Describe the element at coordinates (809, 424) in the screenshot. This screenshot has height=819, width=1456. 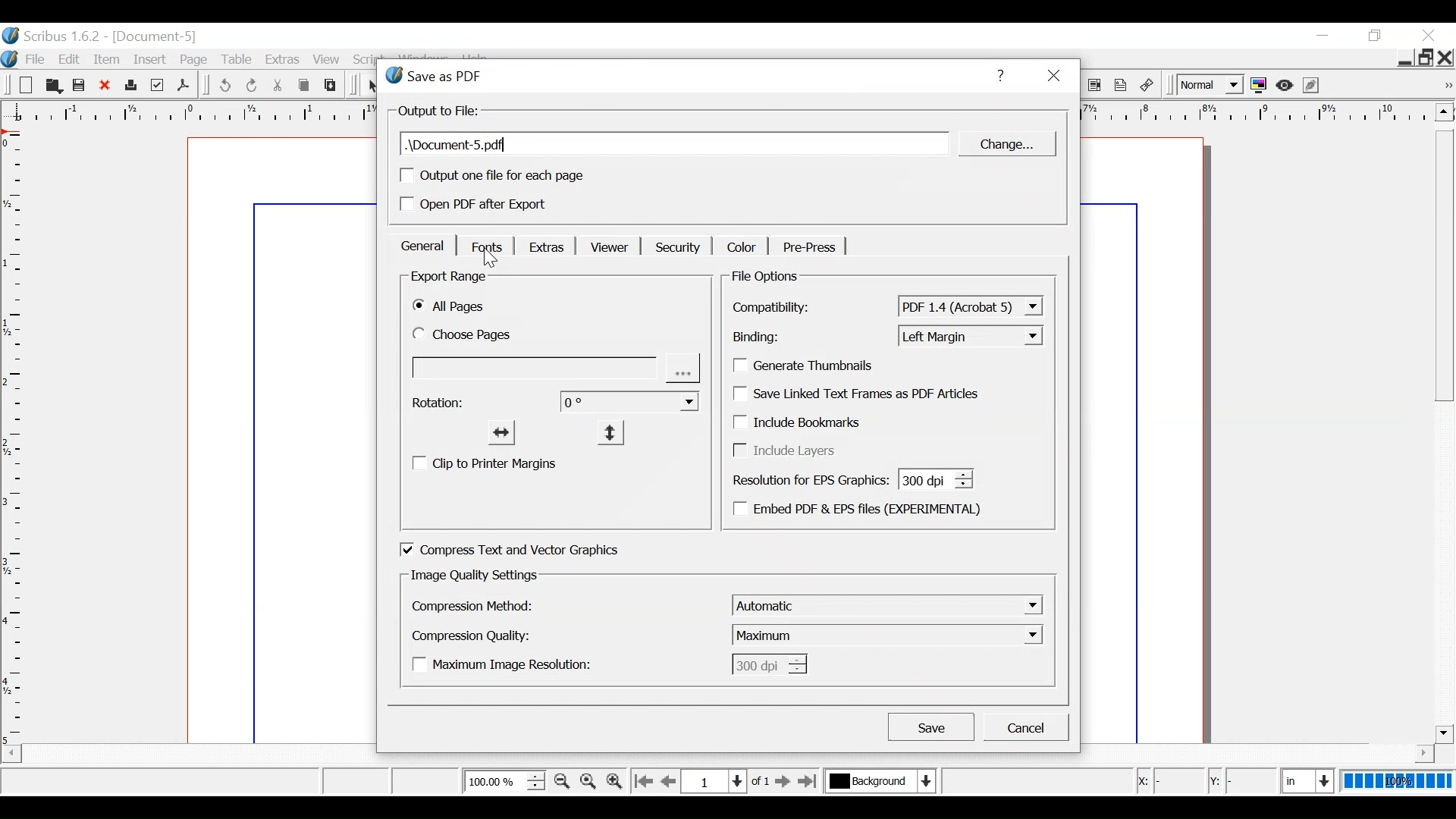
I see `(un)check Include Bookmarks` at that location.